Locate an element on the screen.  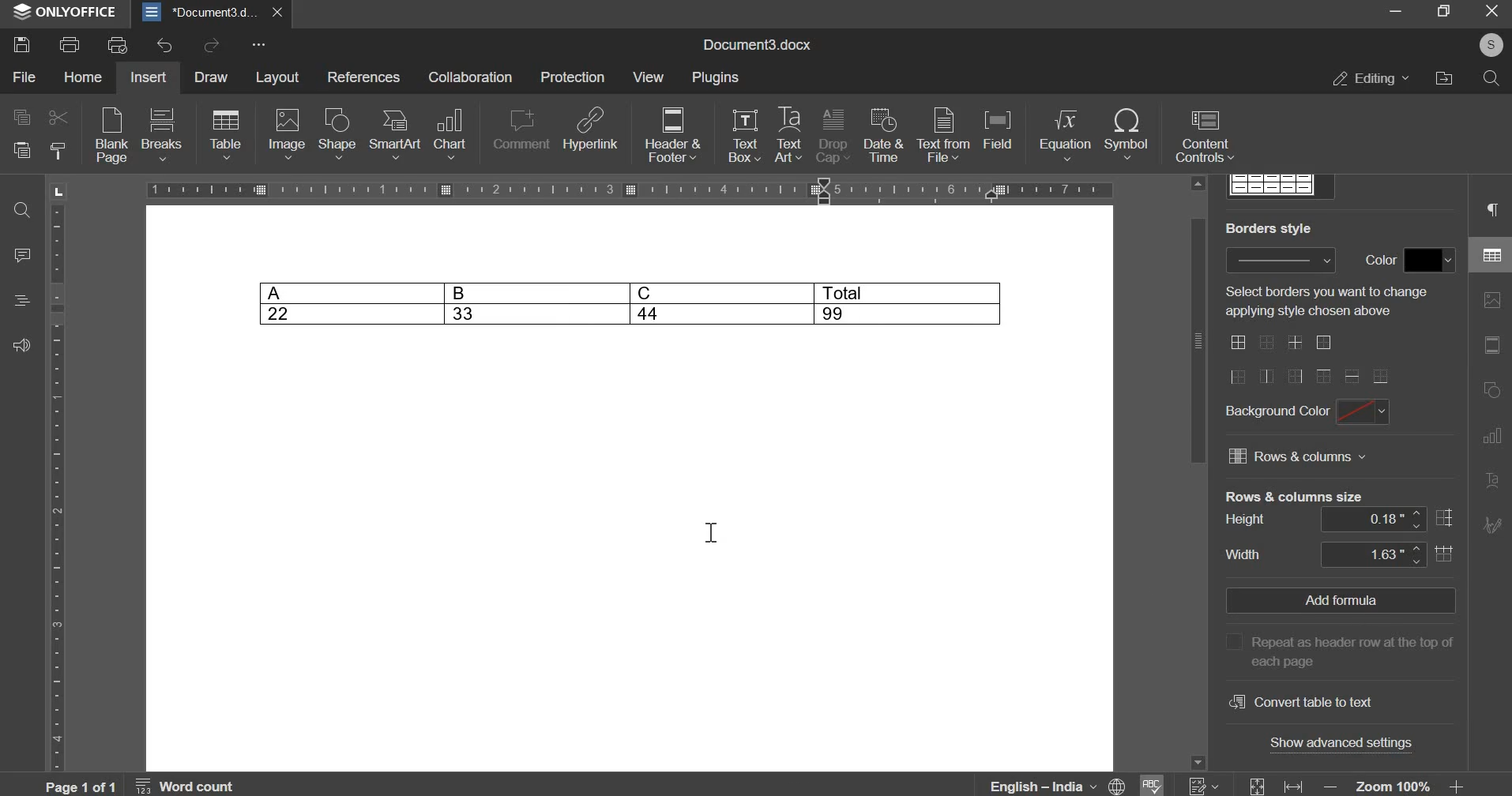
paste is located at coordinates (19, 150).